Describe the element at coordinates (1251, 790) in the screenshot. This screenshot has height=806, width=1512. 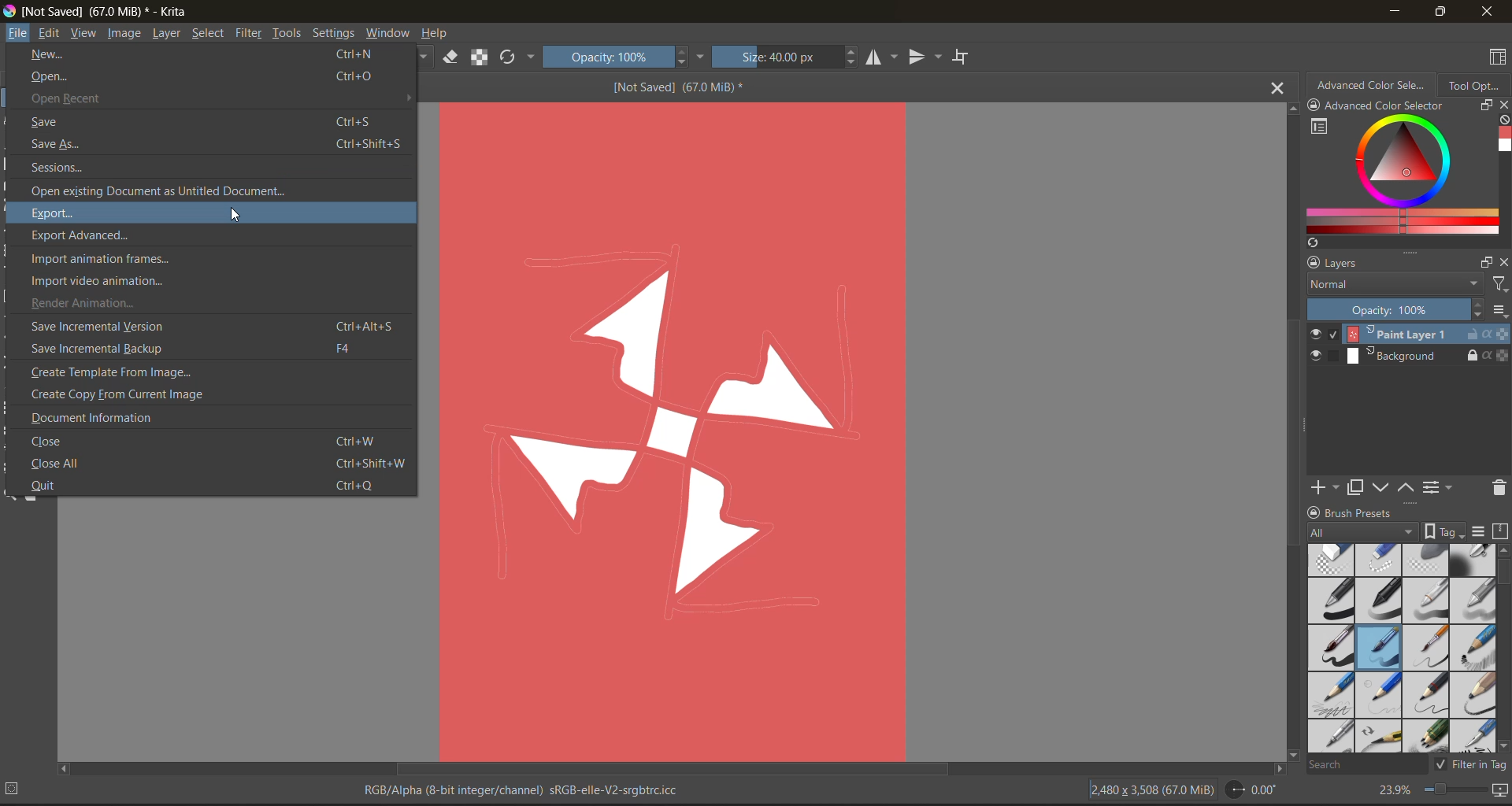
I see `flip angle` at that location.